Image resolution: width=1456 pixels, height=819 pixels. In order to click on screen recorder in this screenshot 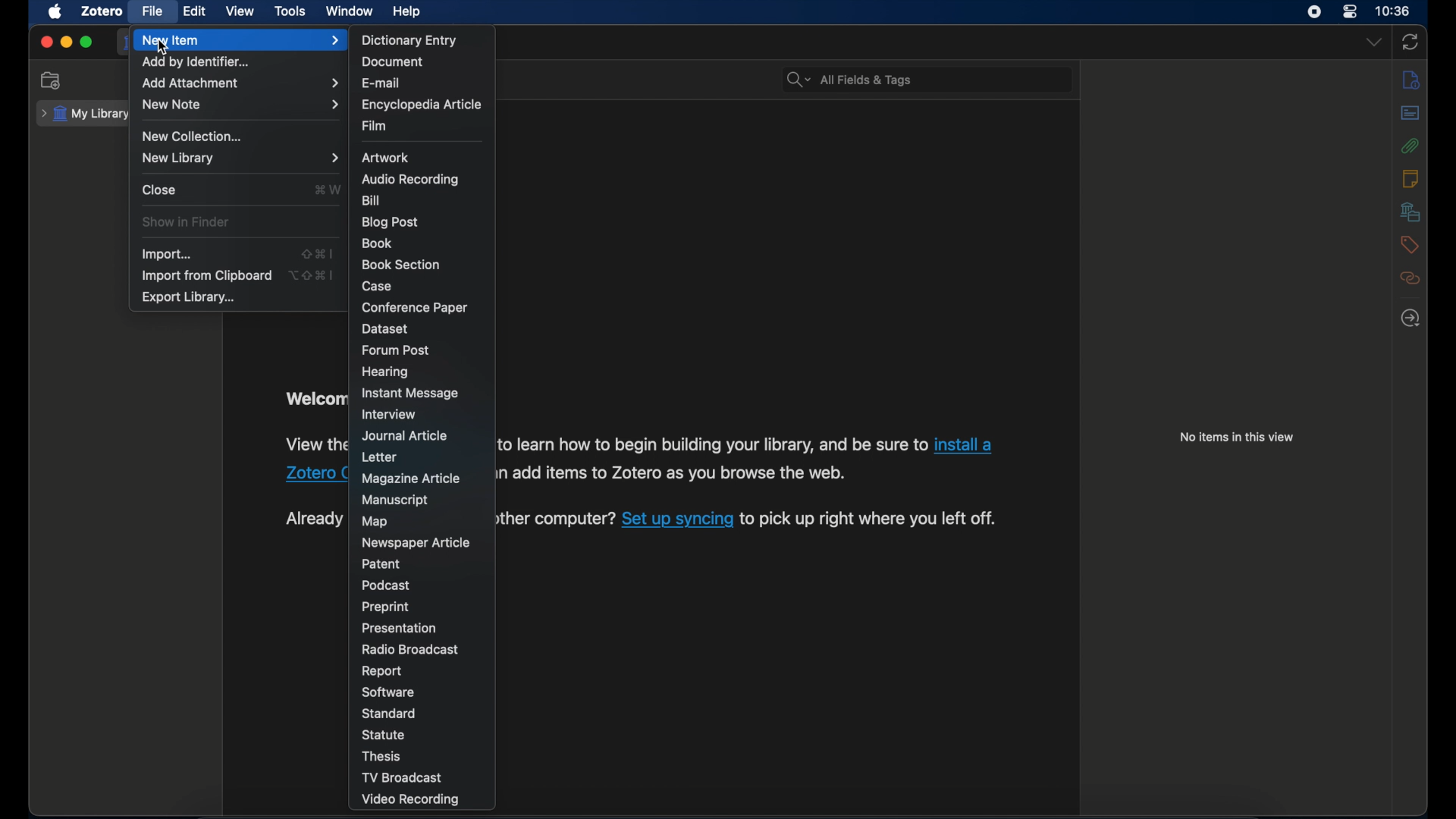, I will do `click(1313, 12)`.